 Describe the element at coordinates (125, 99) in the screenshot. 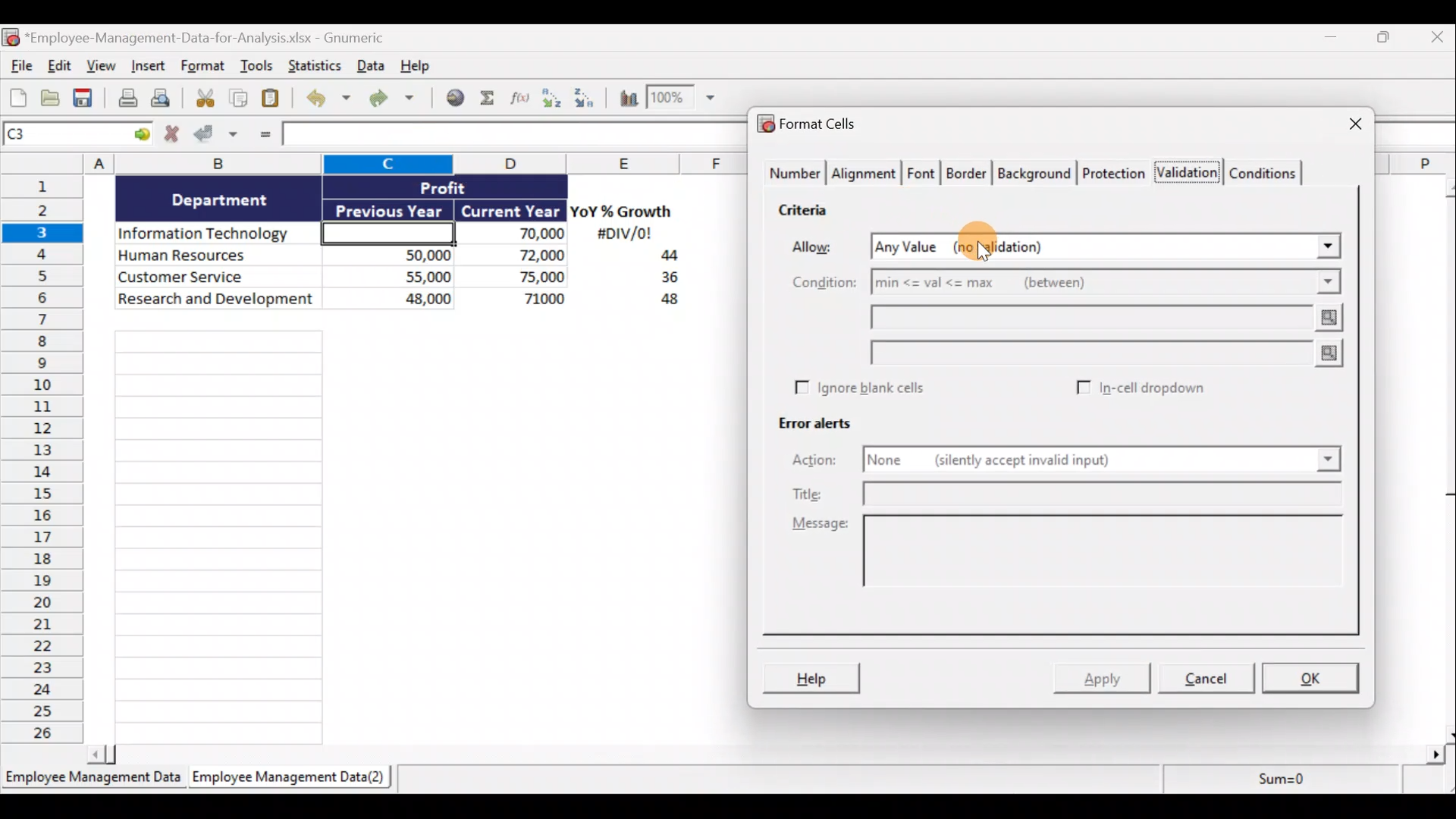

I see `Print current file` at that location.